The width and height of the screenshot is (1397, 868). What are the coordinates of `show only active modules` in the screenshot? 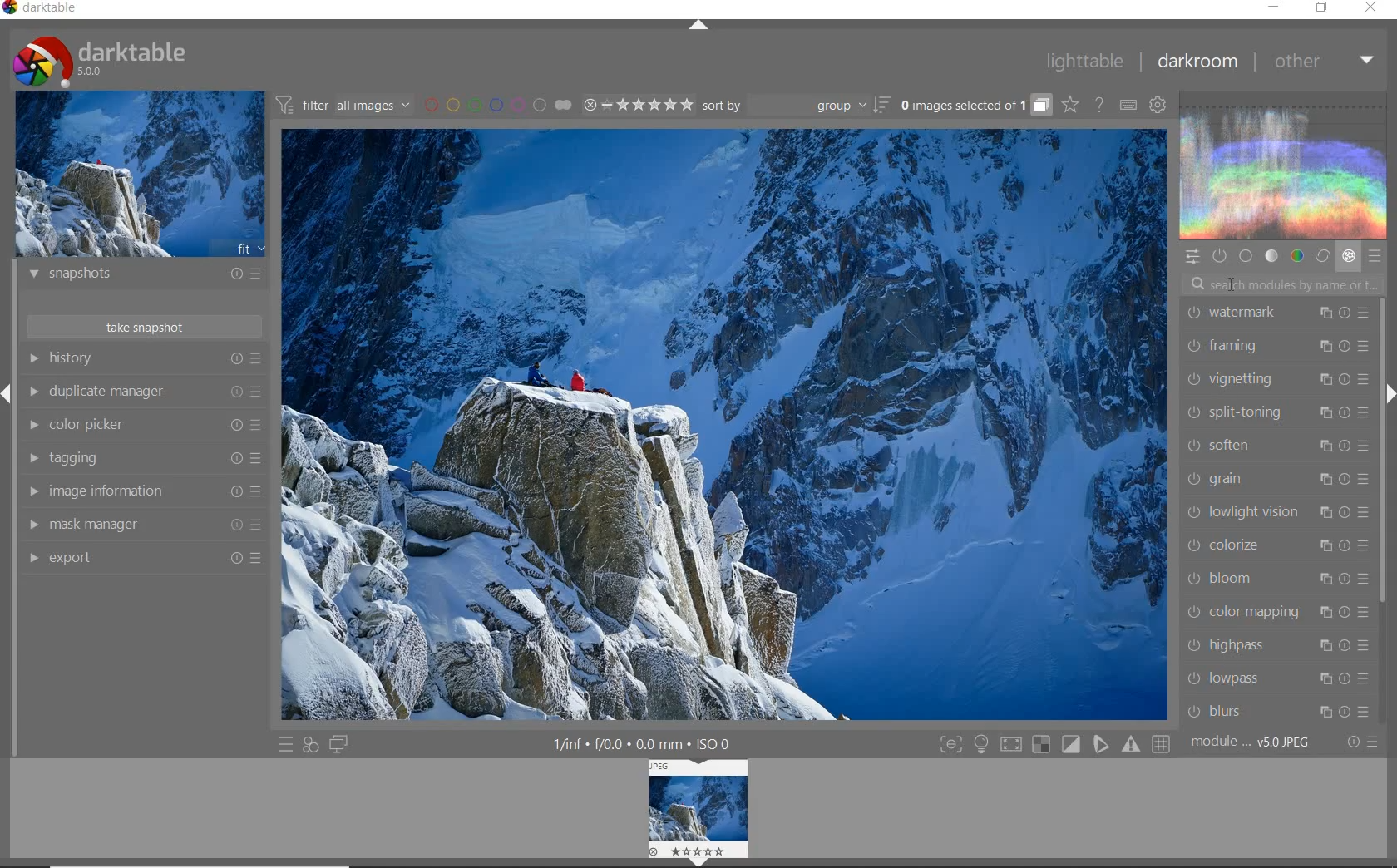 It's located at (1218, 256).